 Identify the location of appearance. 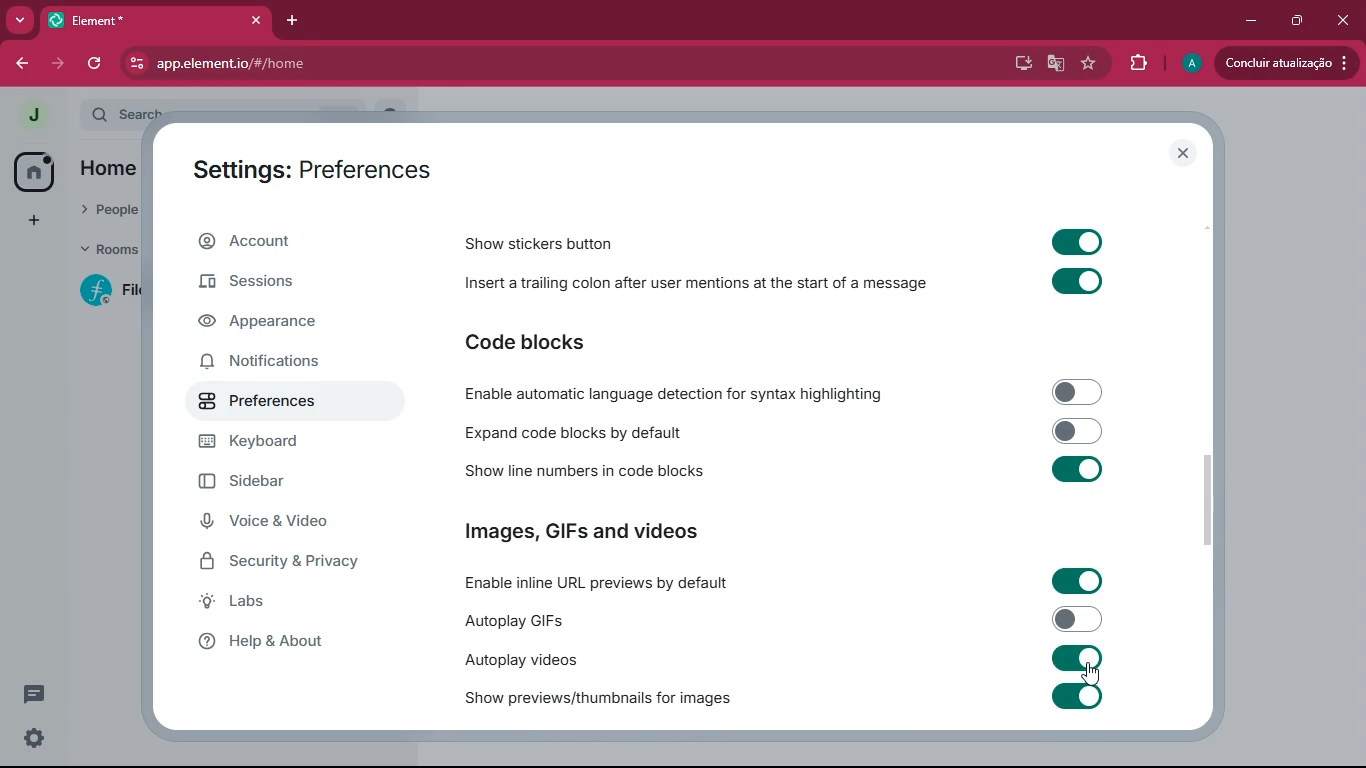
(272, 325).